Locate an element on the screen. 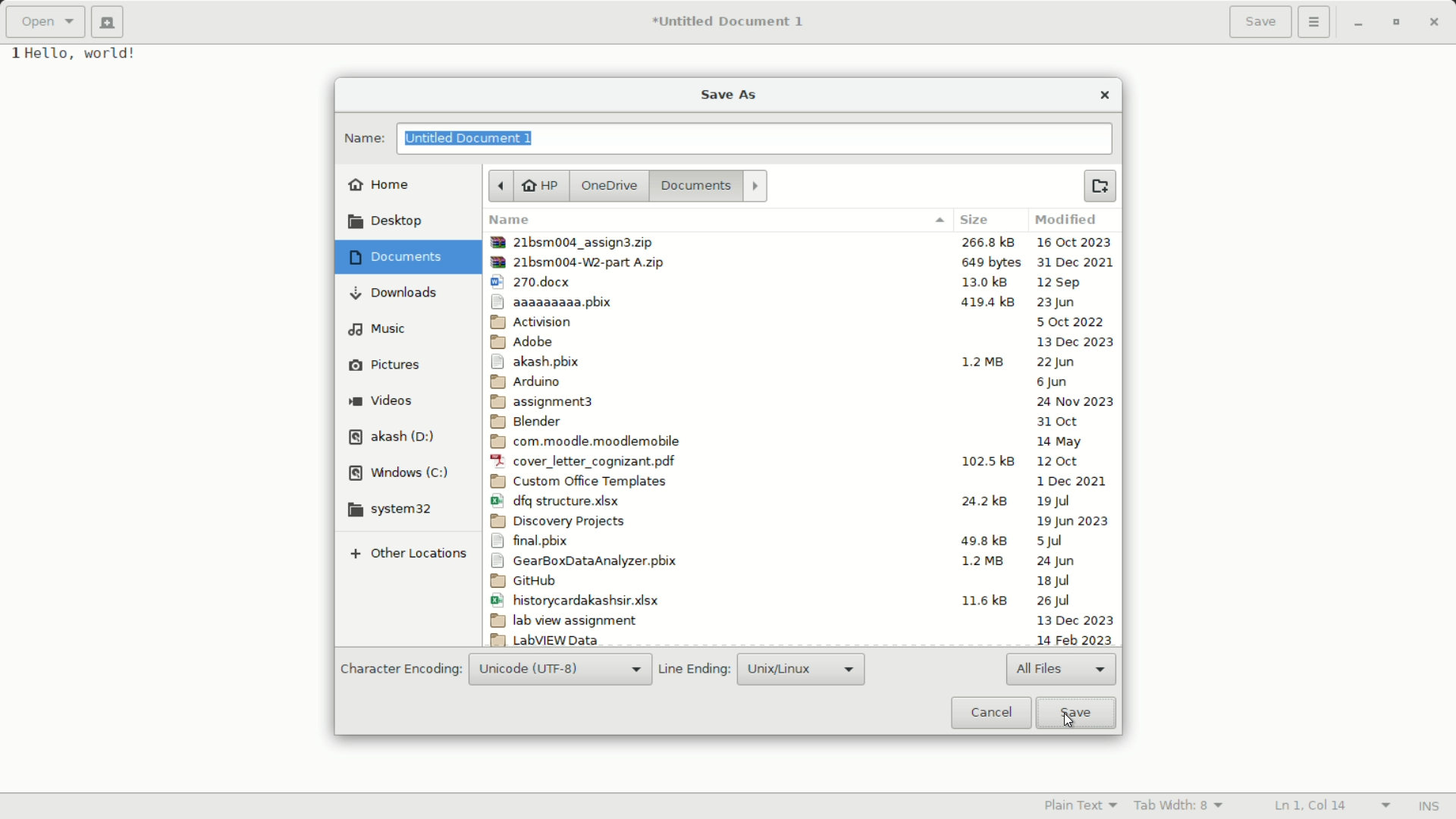 This screenshot has width=1456, height=819. new document is located at coordinates (108, 23).